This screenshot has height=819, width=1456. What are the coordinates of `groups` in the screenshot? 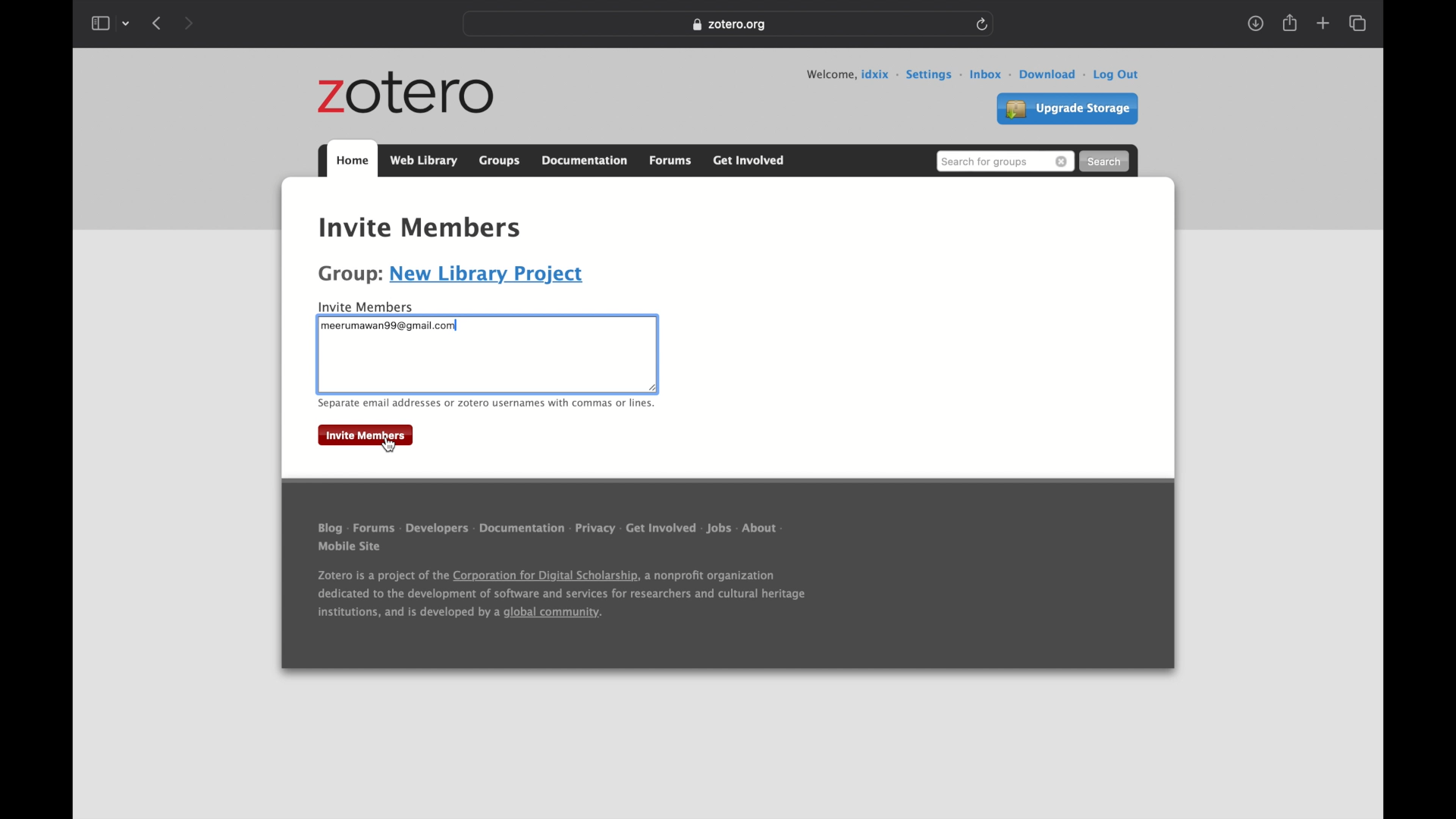 It's located at (500, 159).